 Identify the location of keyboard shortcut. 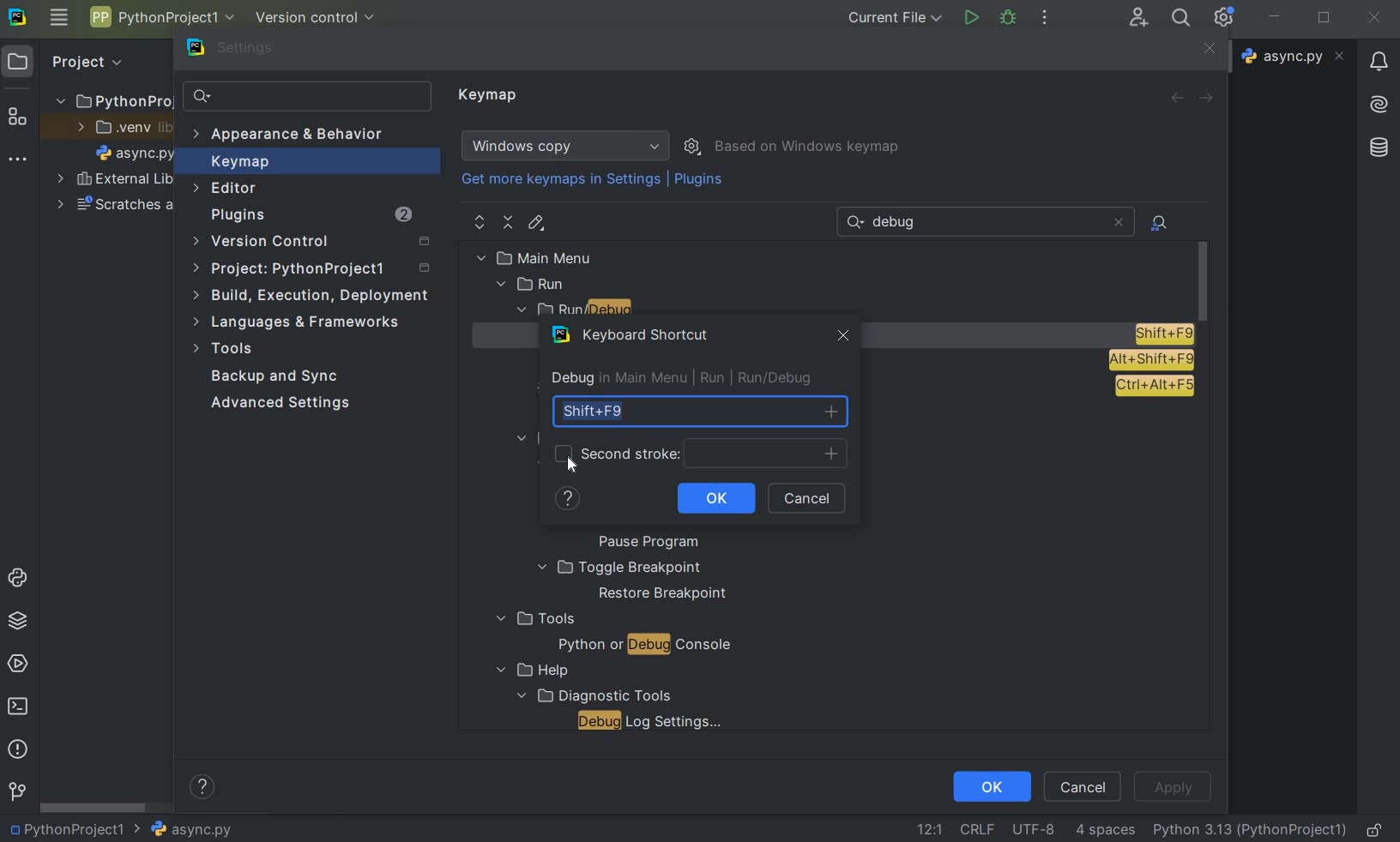
(634, 338).